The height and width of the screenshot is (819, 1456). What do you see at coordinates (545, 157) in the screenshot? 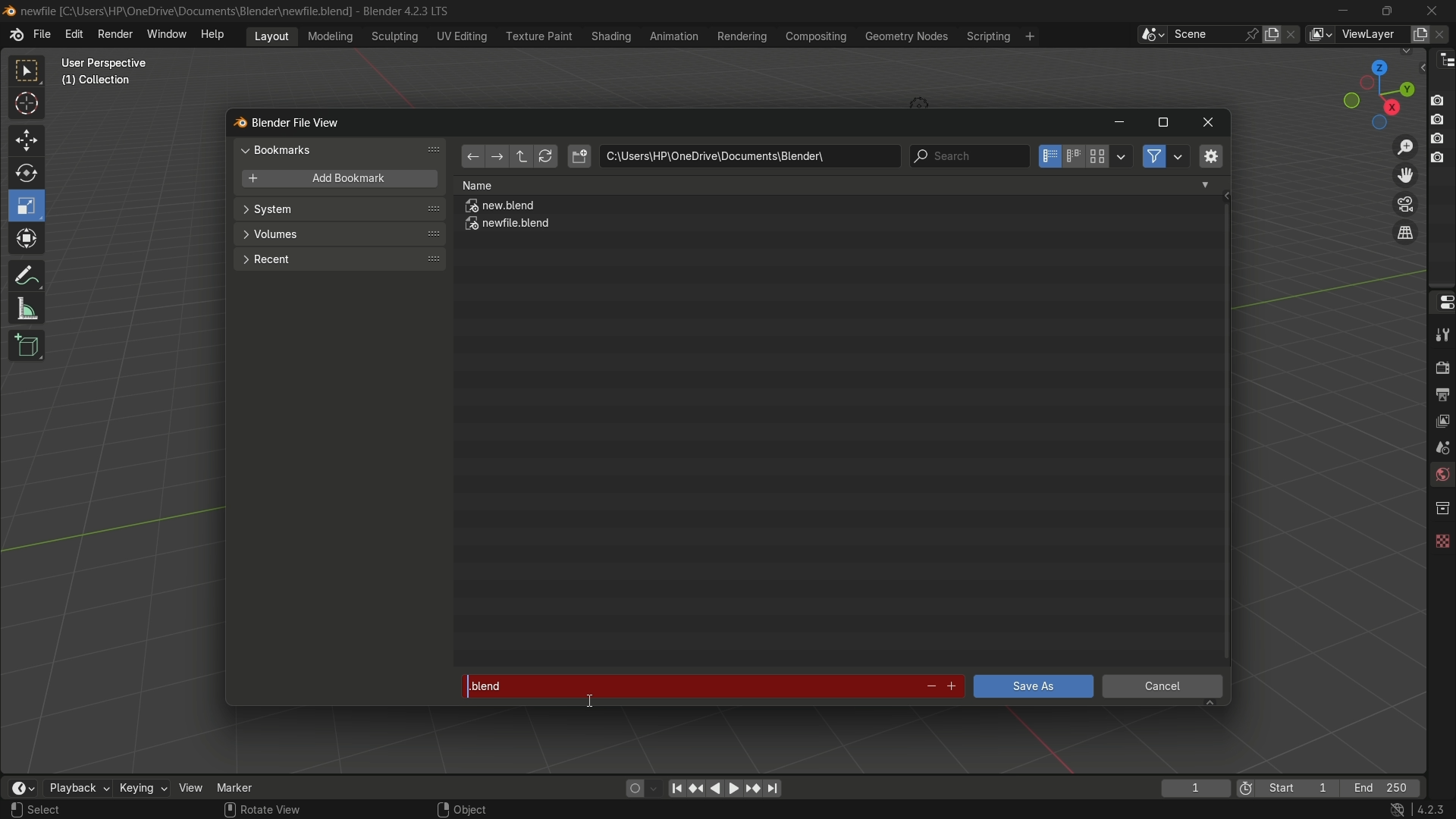
I see `refresh` at bounding box center [545, 157].